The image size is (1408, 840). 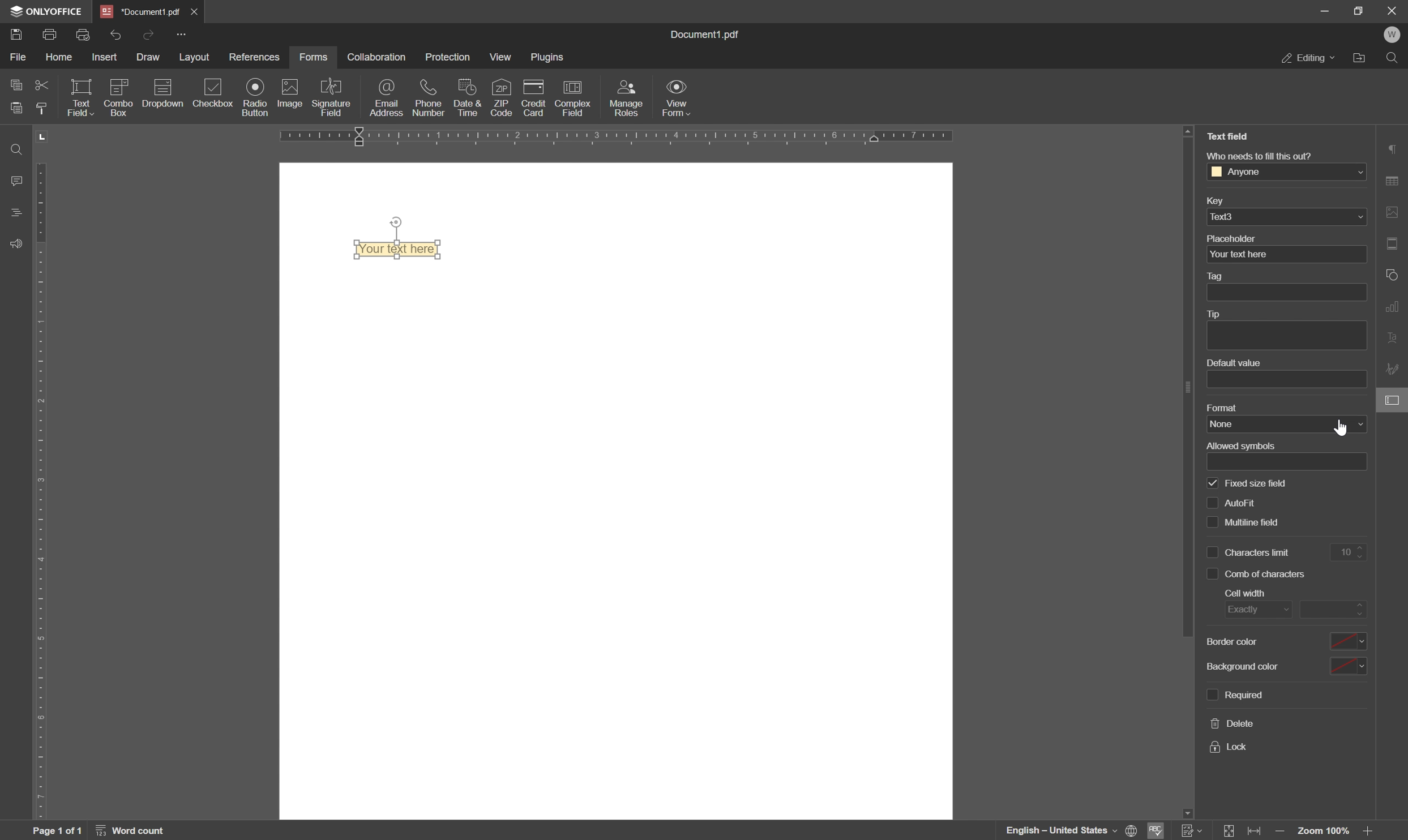 What do you see at coordinates (1243, 172) in the screenshot?
I see `anyone` at bounding box center [1243, 172].